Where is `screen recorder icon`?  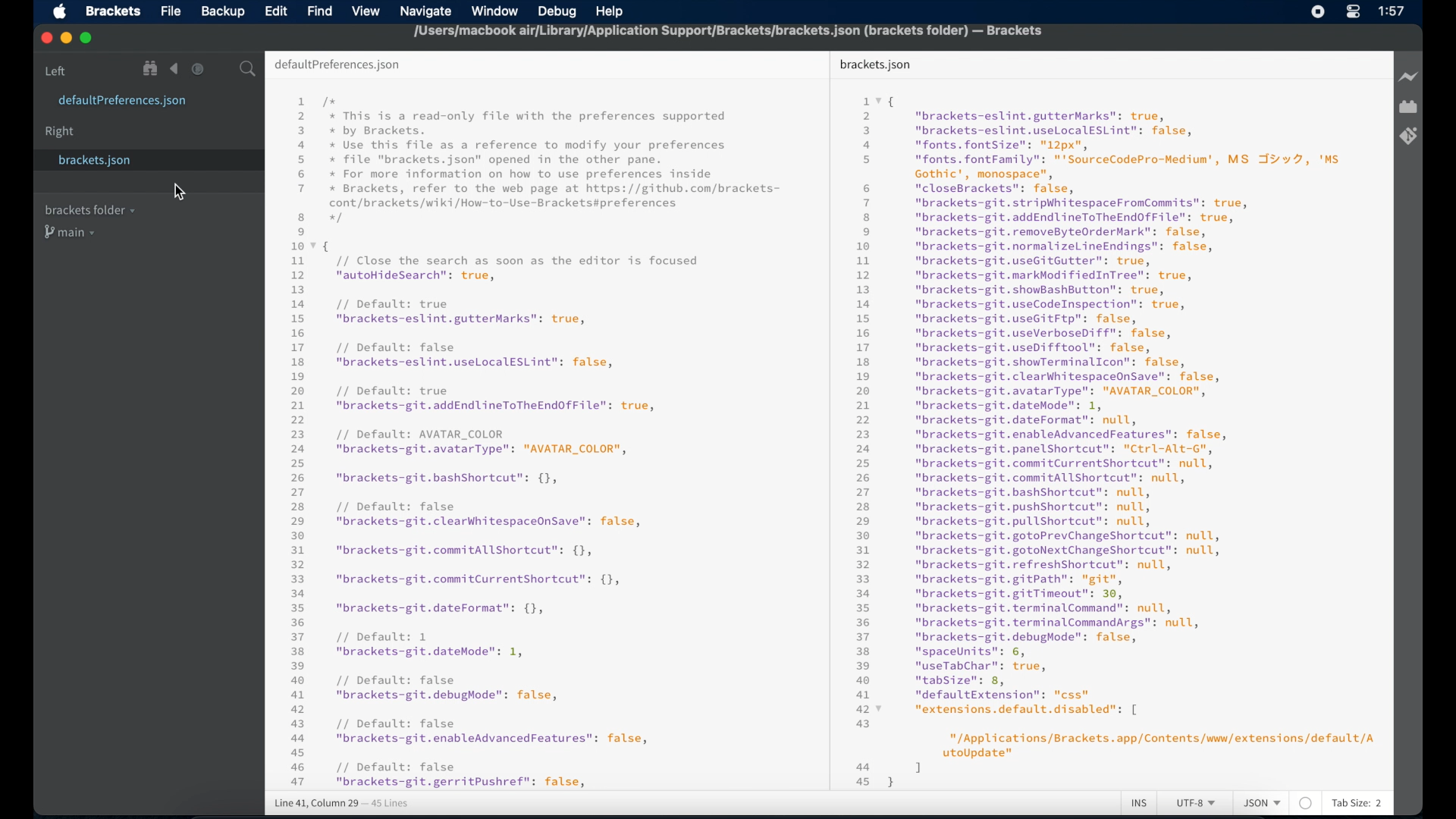 screen recorder icon is located at coordinates (1319, 11).